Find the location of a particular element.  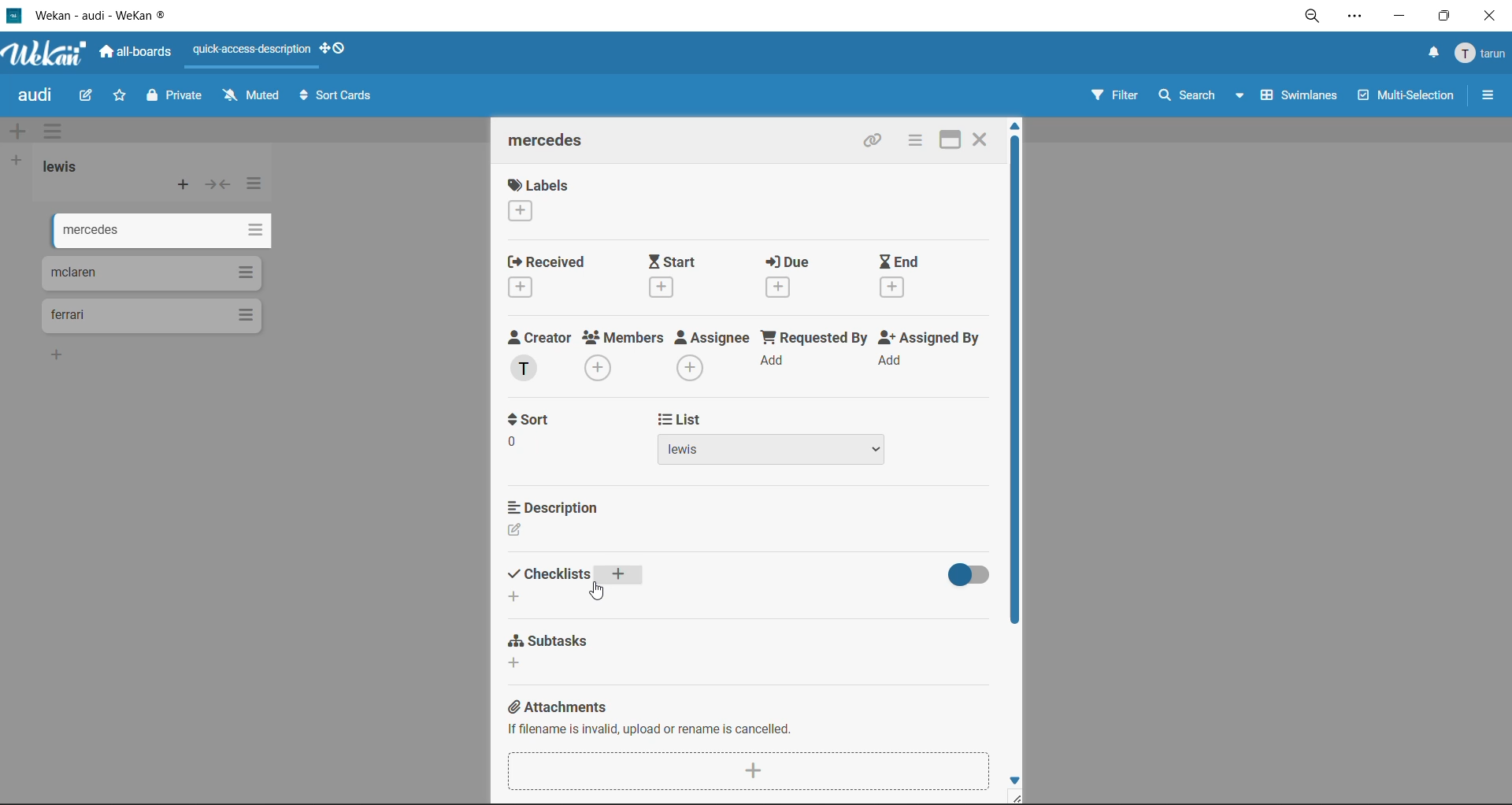

sort is located at coordinates (534, 448).